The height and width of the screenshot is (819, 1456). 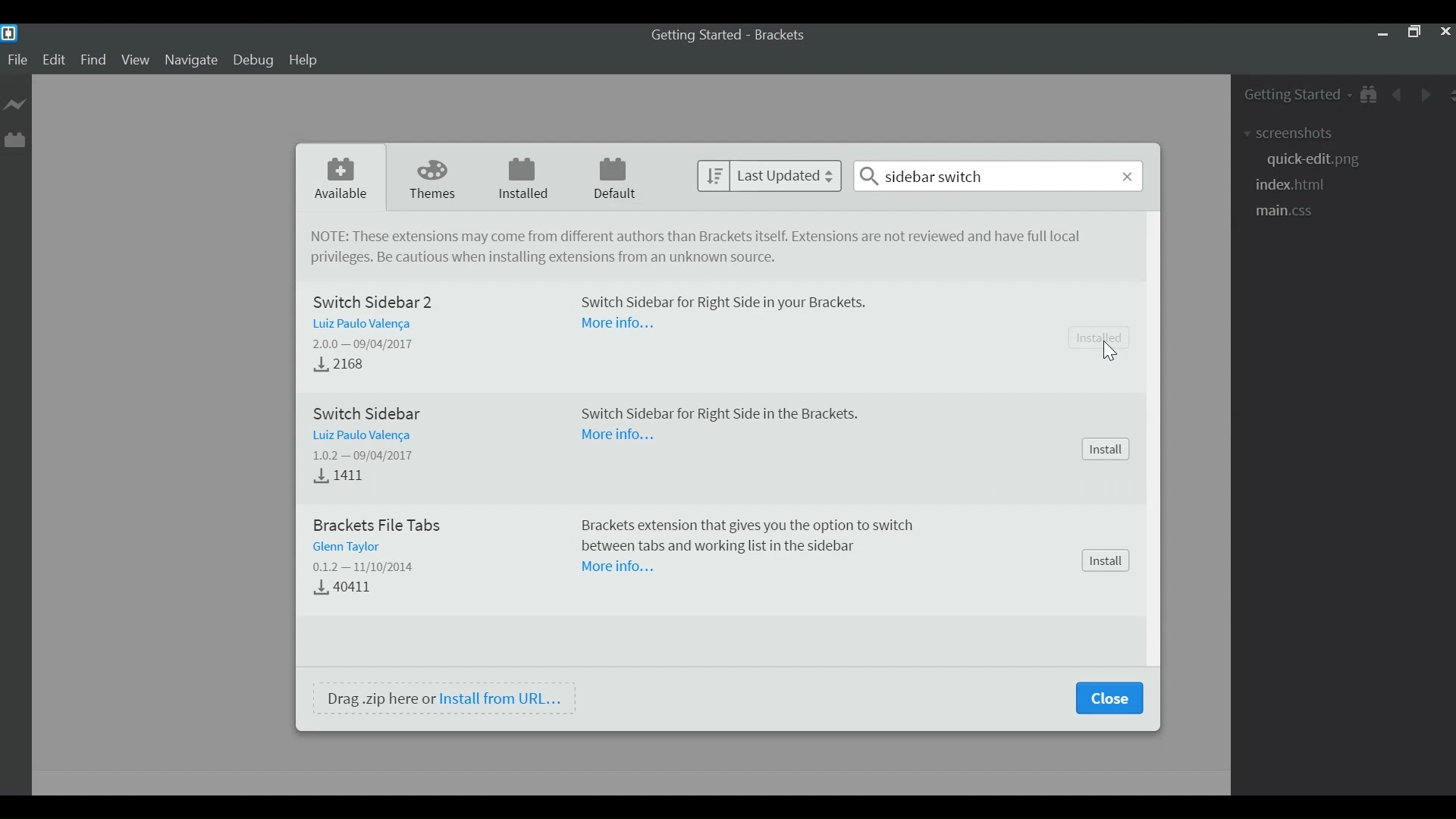 What do you see at coordinates (1447, 93) in the screenshot?
I see `Split the Editor Vertically or Horizontally` at bounding box center [1447, 93].